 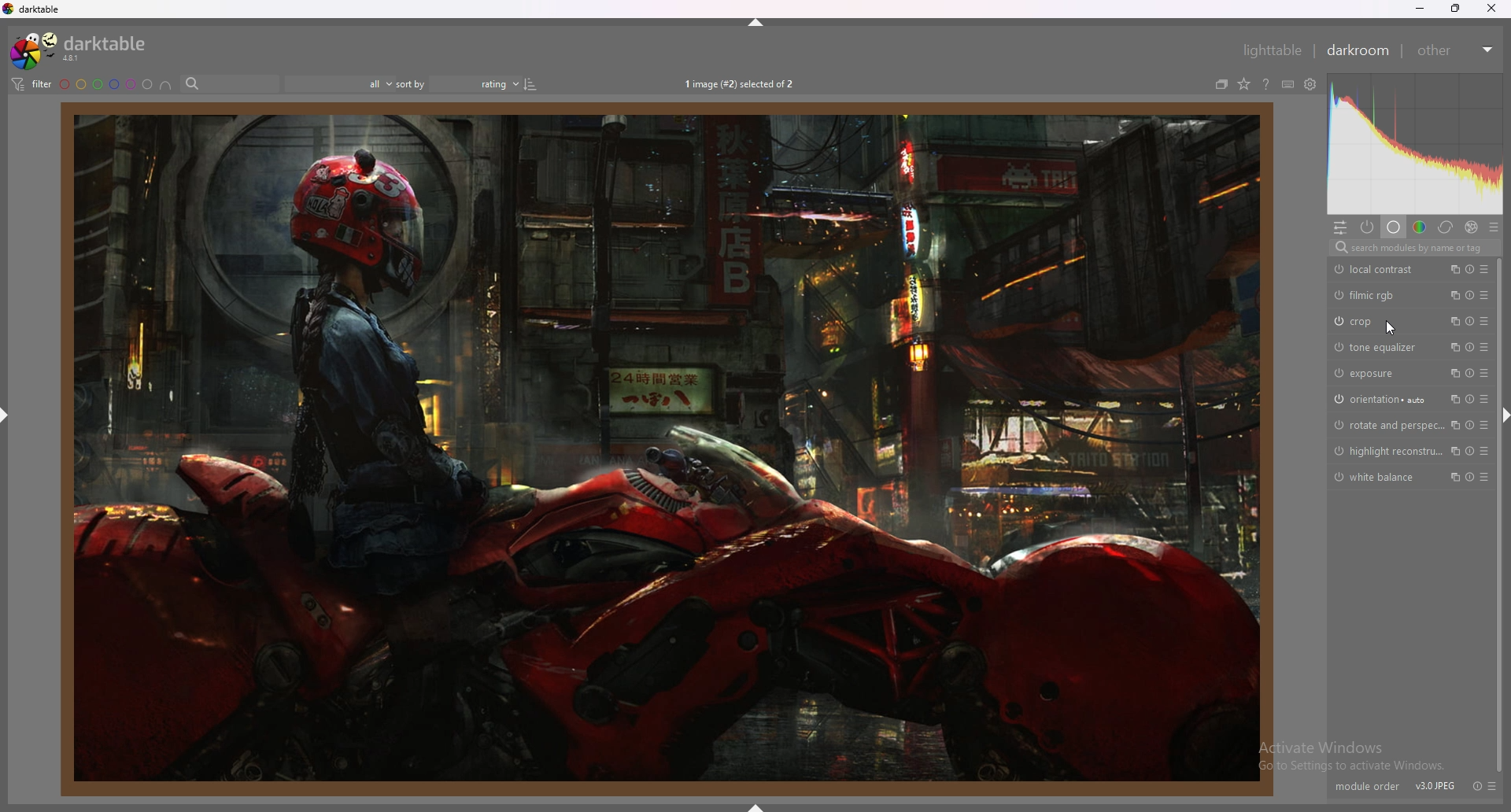 What do you see at coordinates (339, 83) in the screenshot?
I see `filter by images rating` at bounding box center [339, 83].